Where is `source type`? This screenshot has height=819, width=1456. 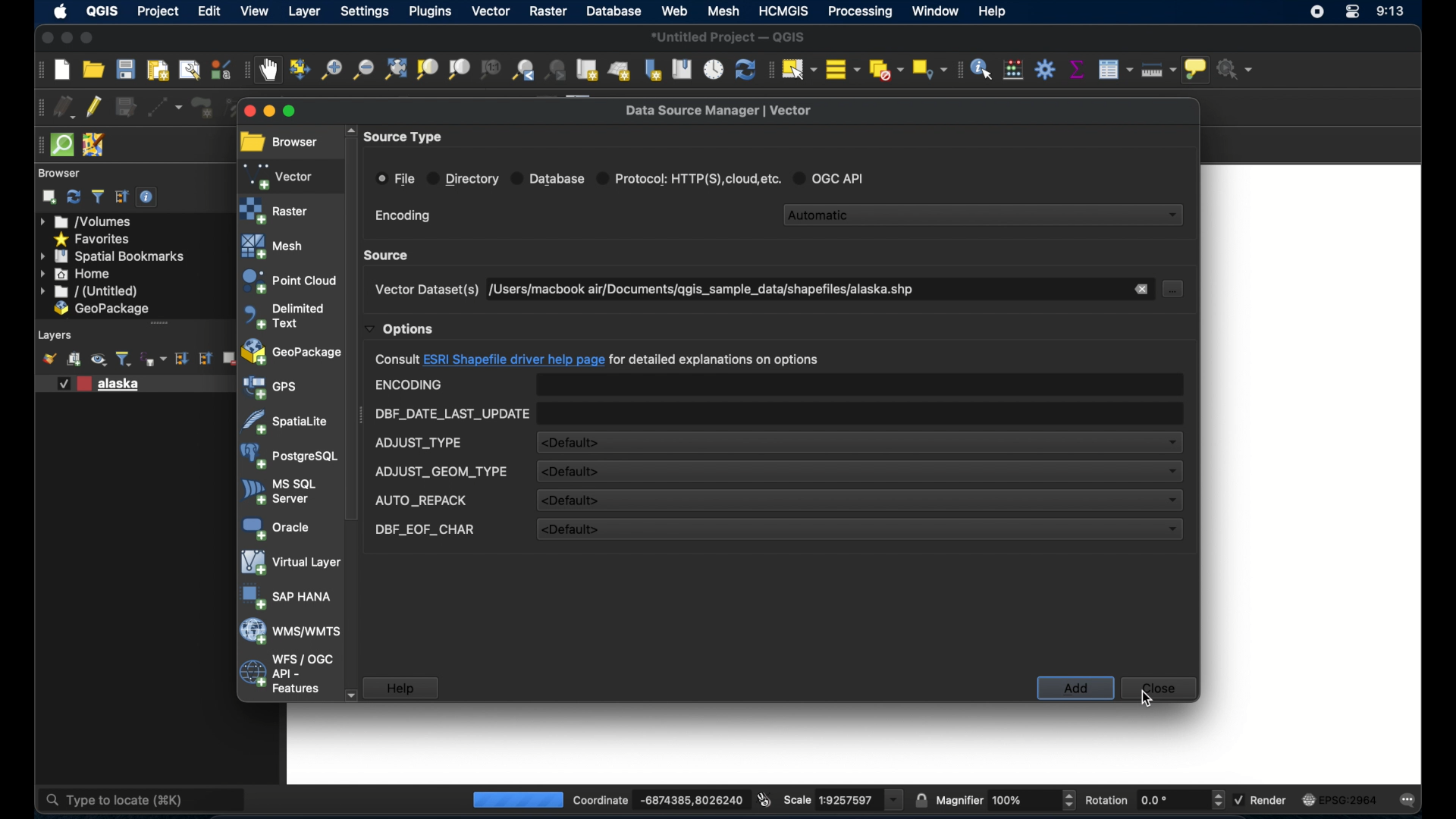
source type is located at coordinates (406, 137).